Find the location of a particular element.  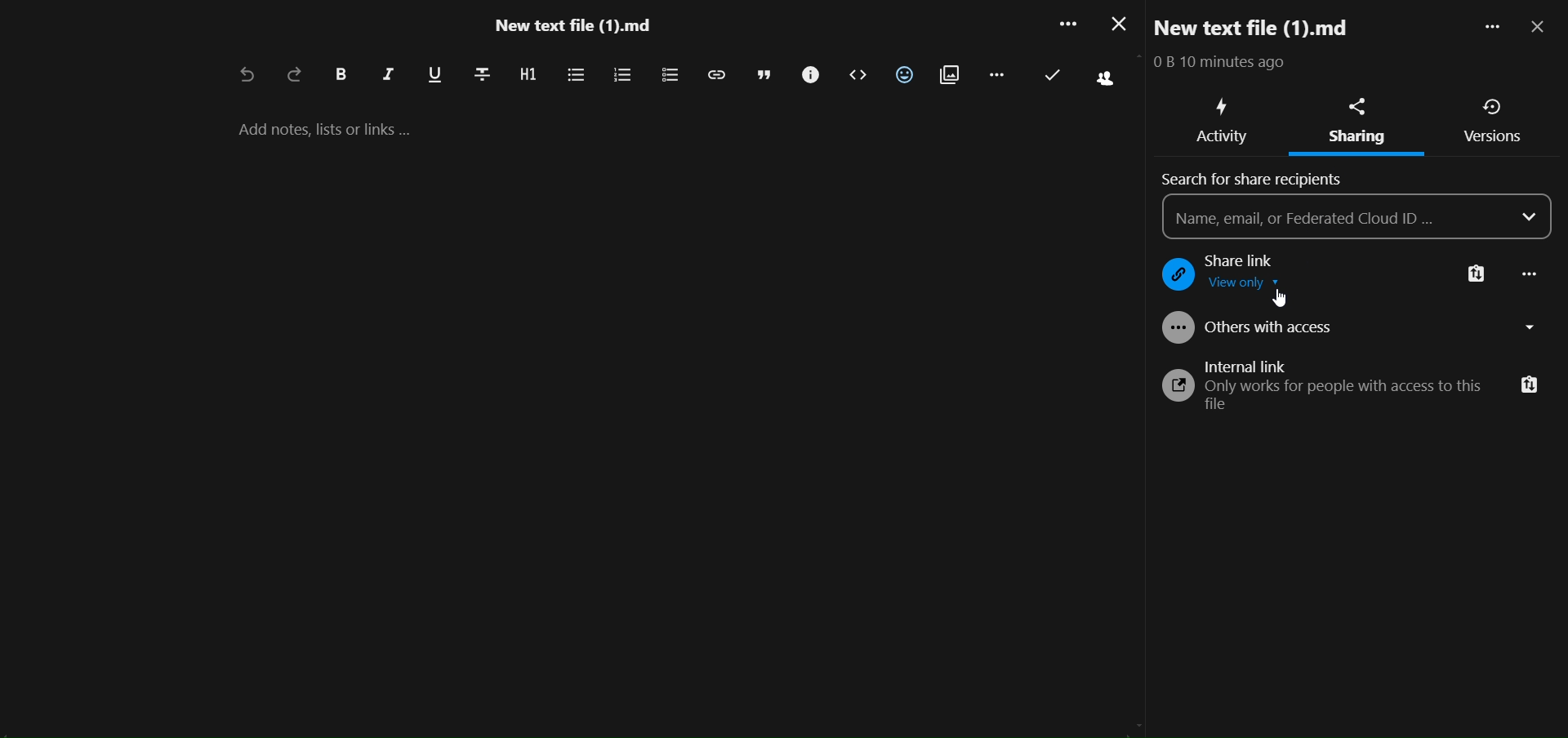

view only is located at coordinates (1254, 287).